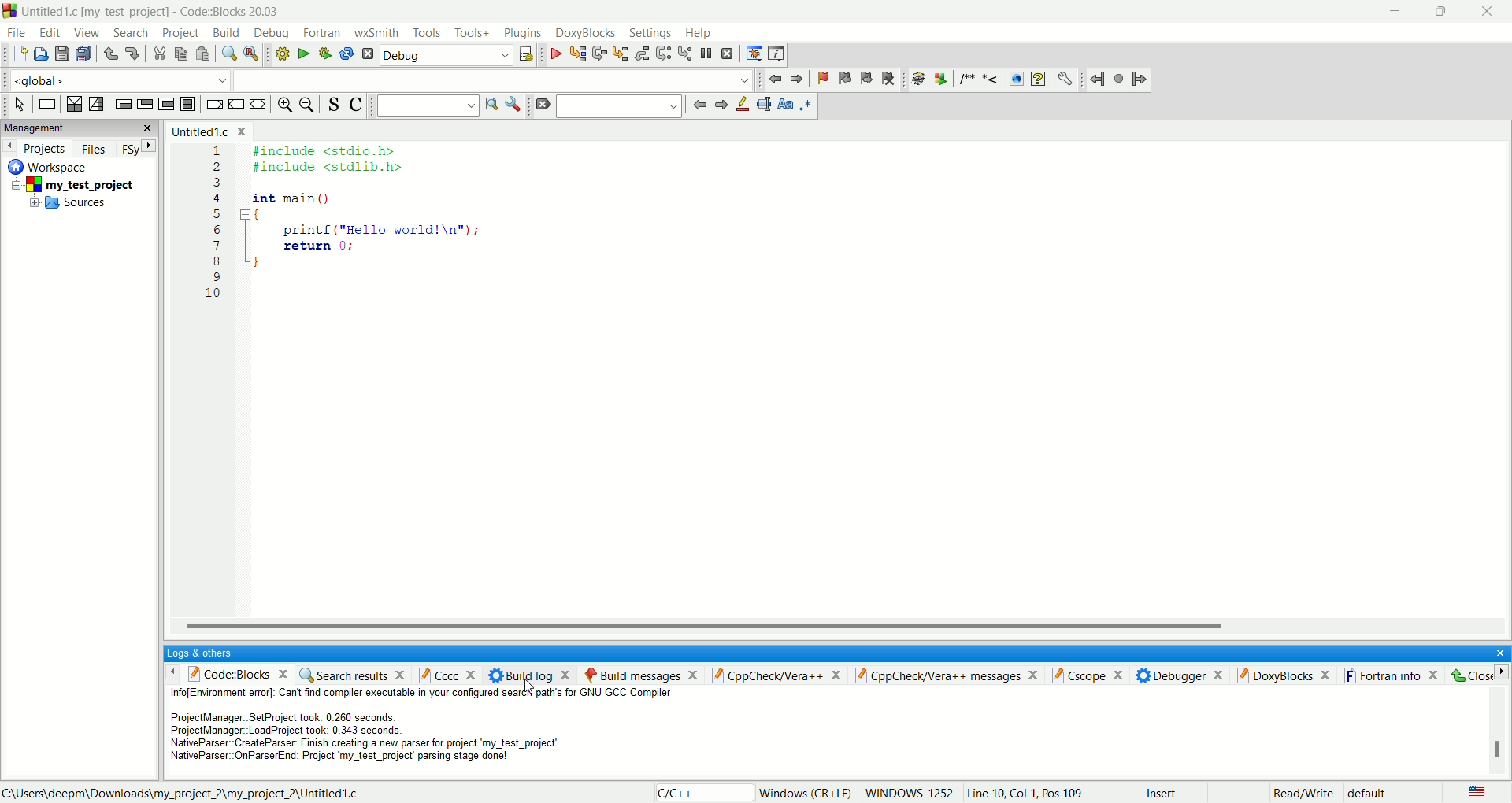 The width and height of the screenshot is (1512, 803). Describe the element at coordinates (352, 674) in the screenshot. I see `search results` at that location.